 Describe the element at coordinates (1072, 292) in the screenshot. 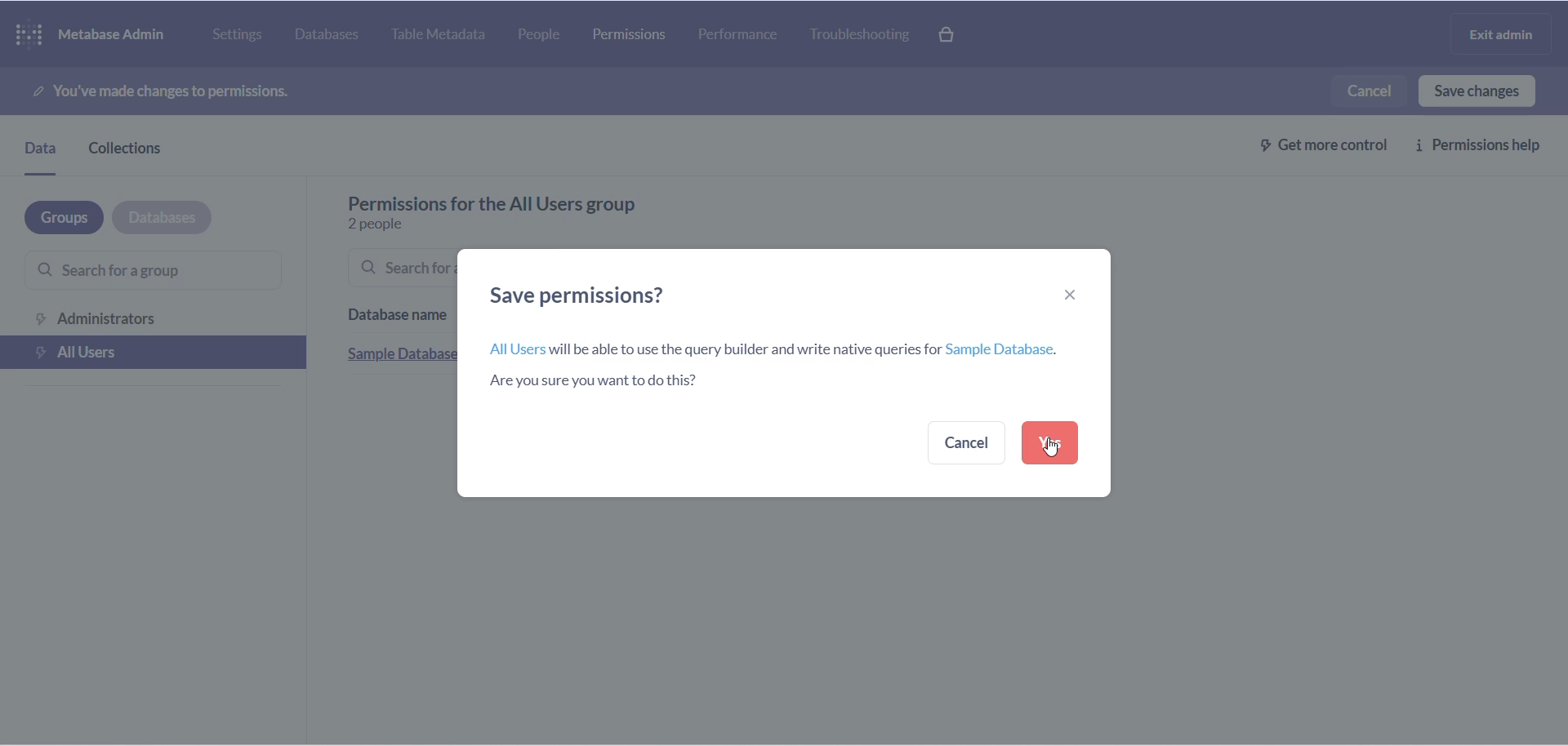

I see `close` at that location.